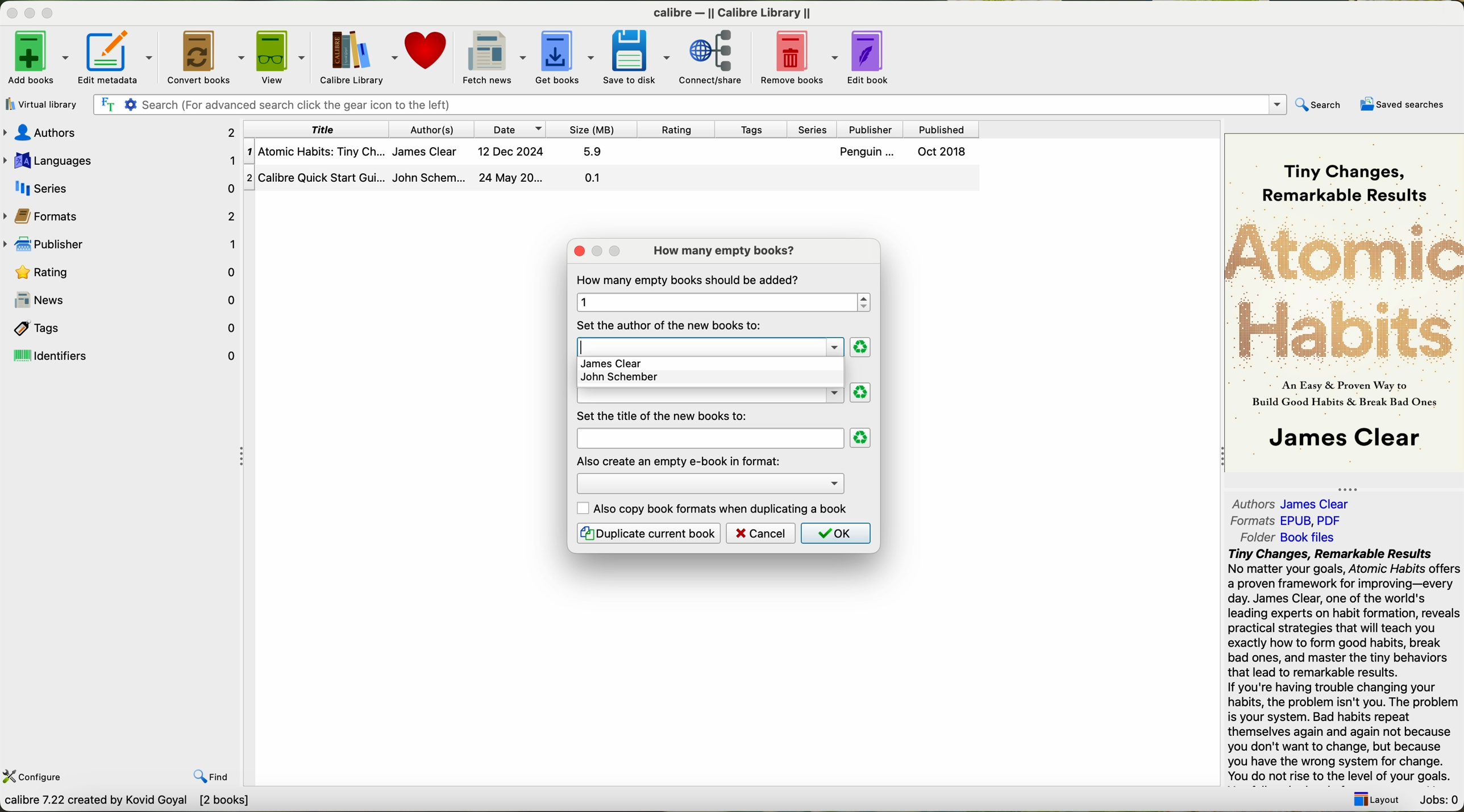 This screenshot has width=1464, height=812. What do you see at coordinates (714, 58) in the screenshot?
I see `connect/share` at bounding box center [714, 58].